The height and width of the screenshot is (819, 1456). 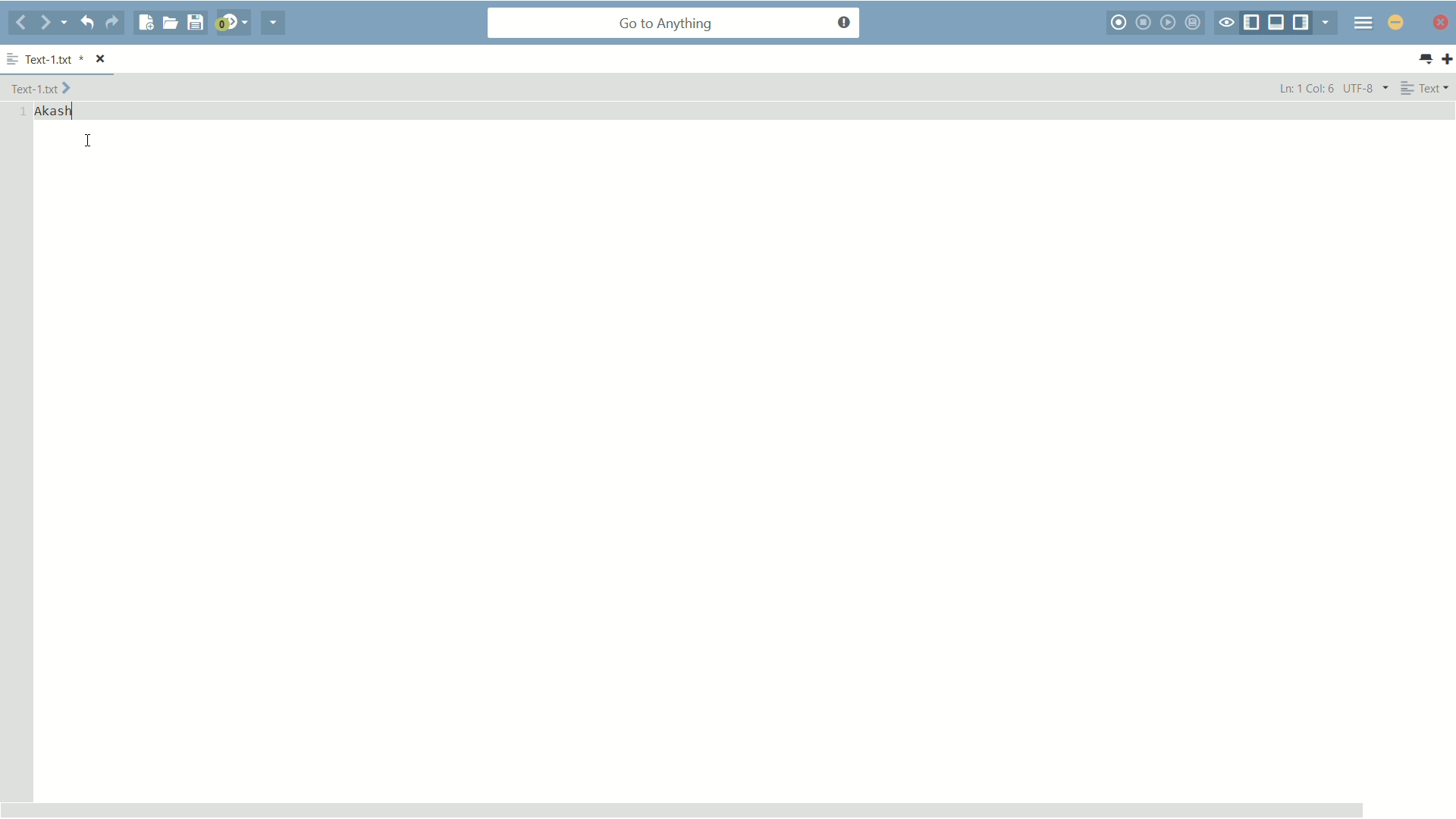 I want to click on menu, so click(x=1363, y=24).